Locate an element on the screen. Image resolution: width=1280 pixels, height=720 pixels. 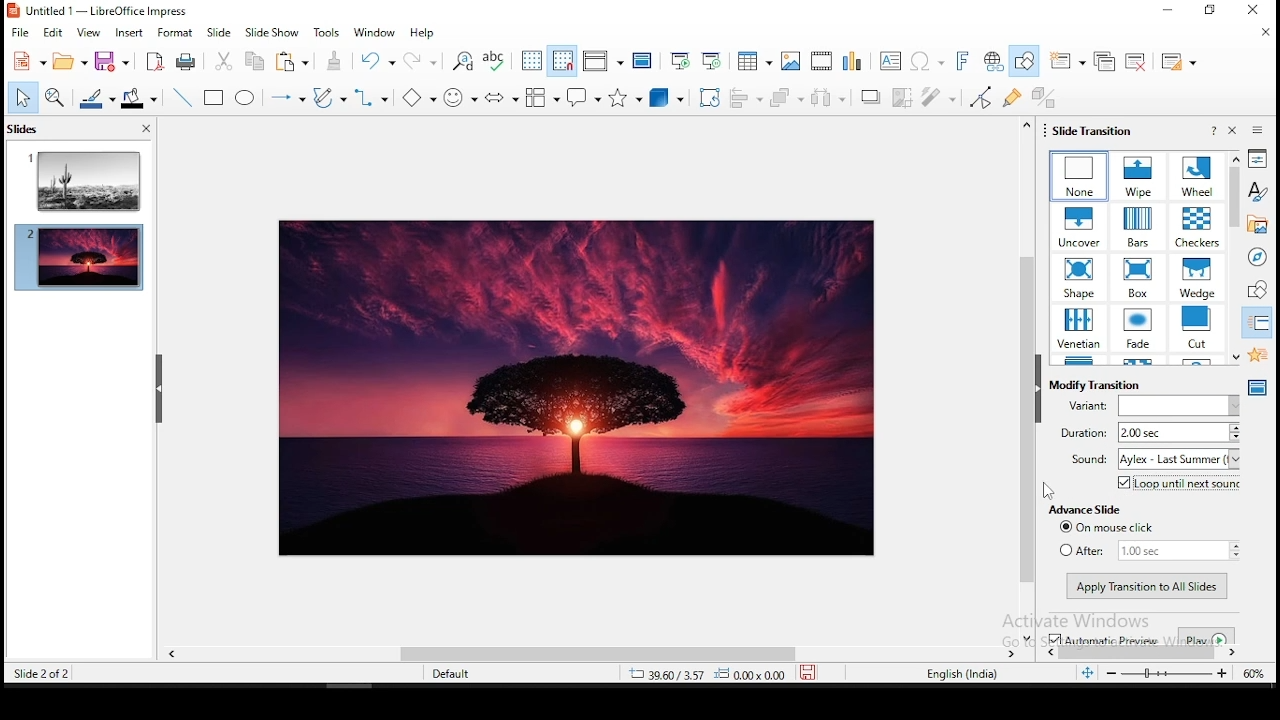
advance slide is located at coordinates (1085, 509).